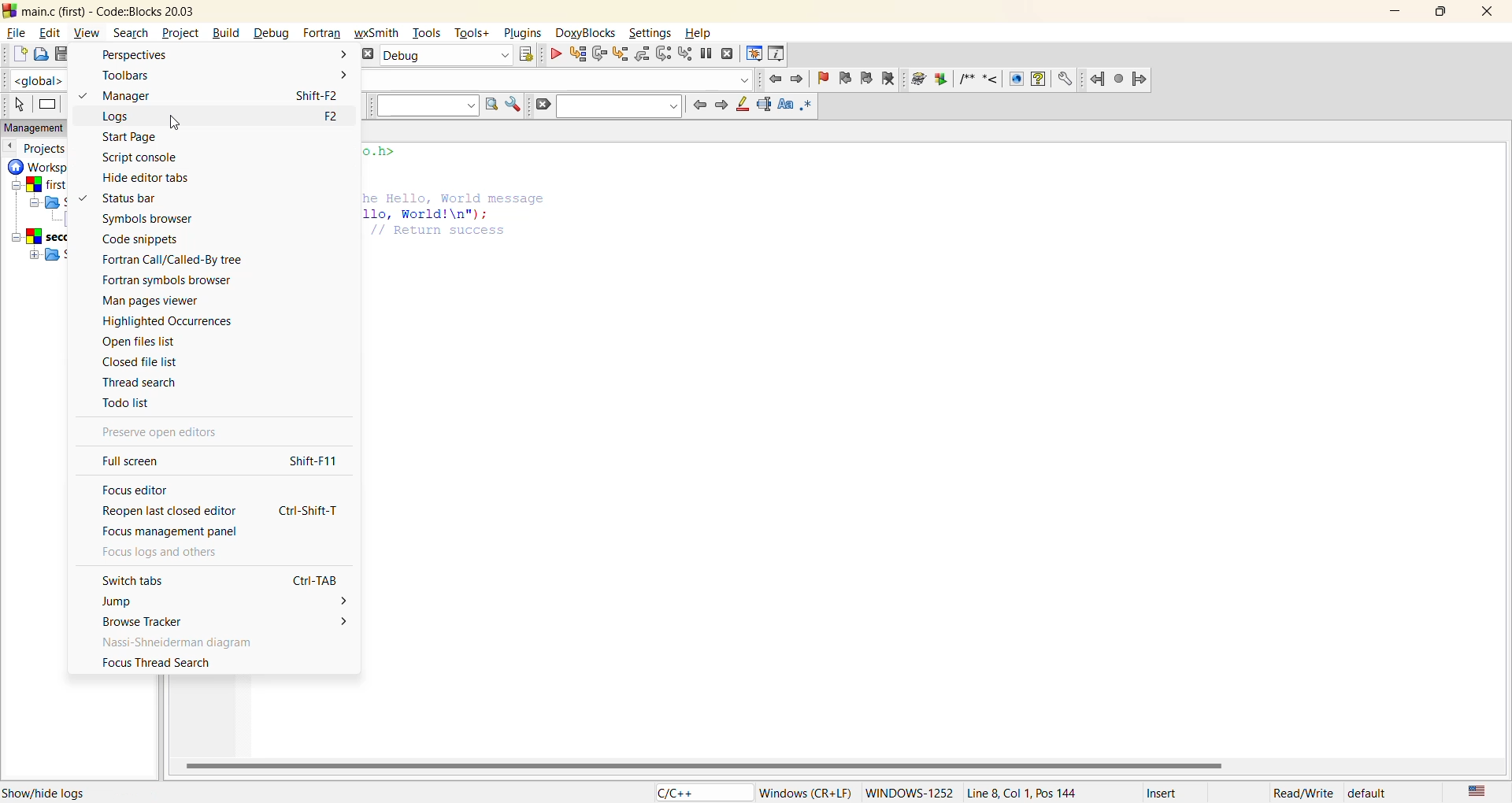 The width and height of the screenshot is (1512, 803). I want to click on search, so click(132, 35).